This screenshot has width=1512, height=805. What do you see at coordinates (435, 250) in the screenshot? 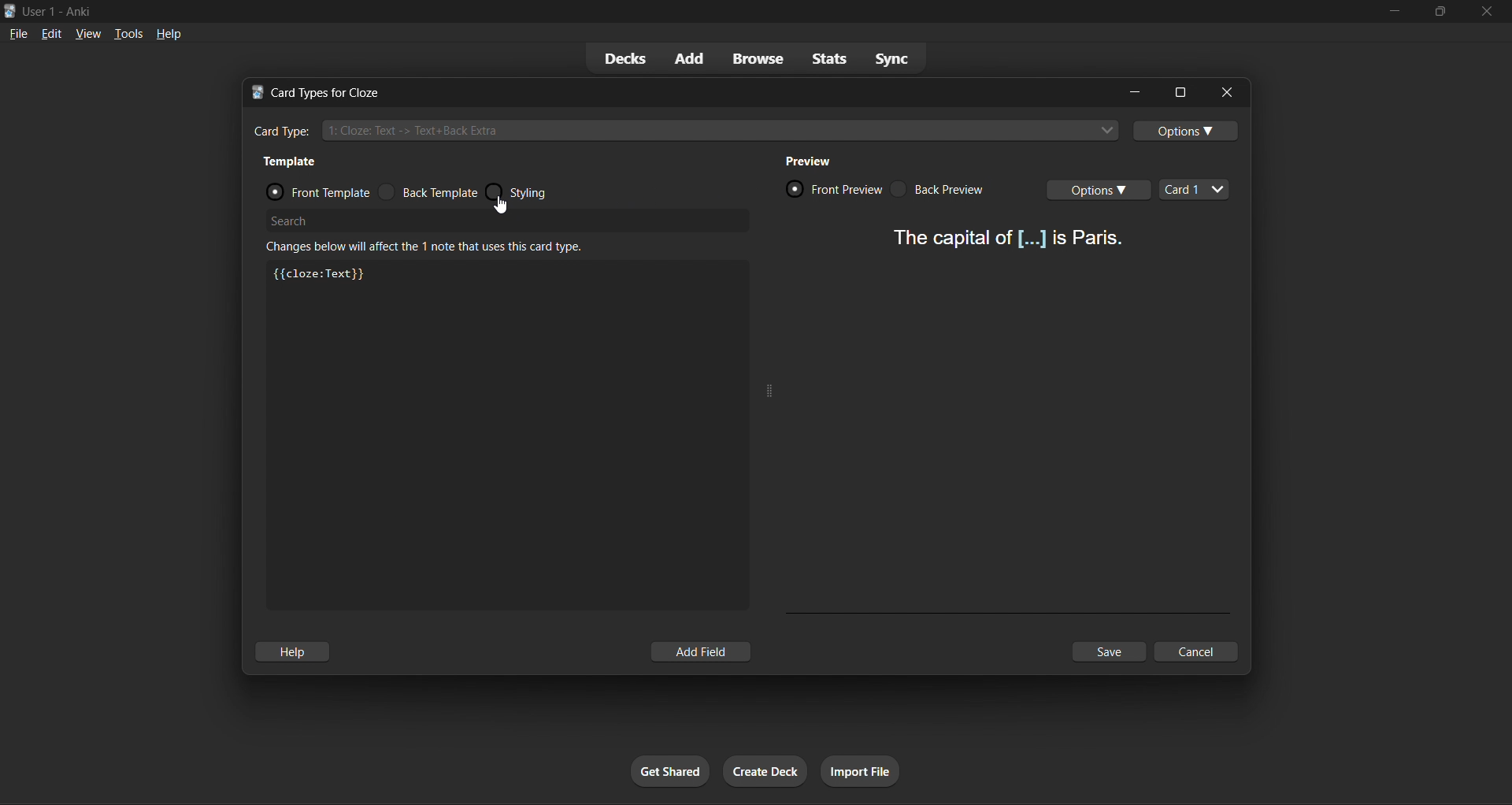
I see `info` at bounding box center [435, 250].